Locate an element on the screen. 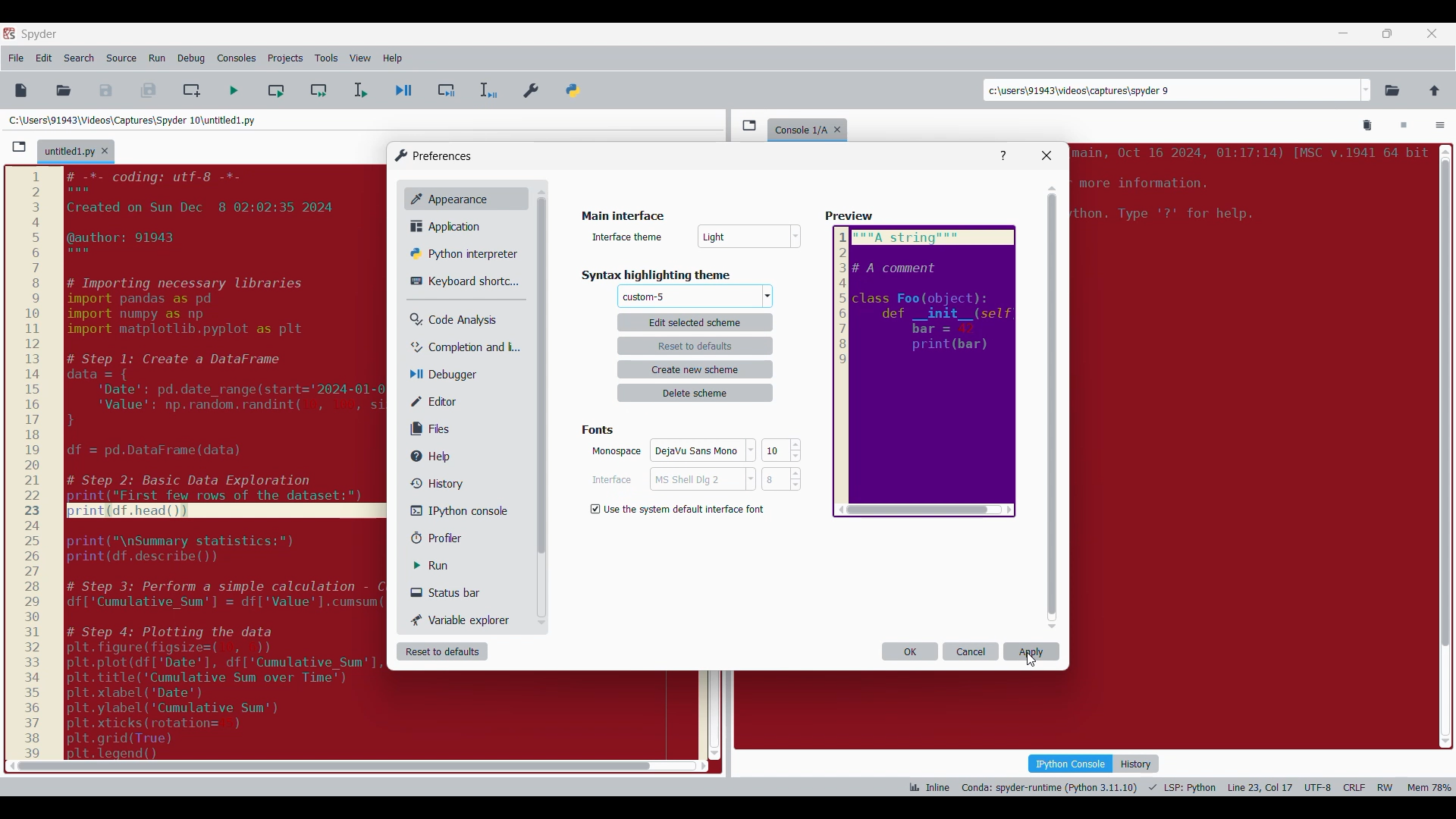  PYTHONPATH manager is located at coordinates (576, 87).